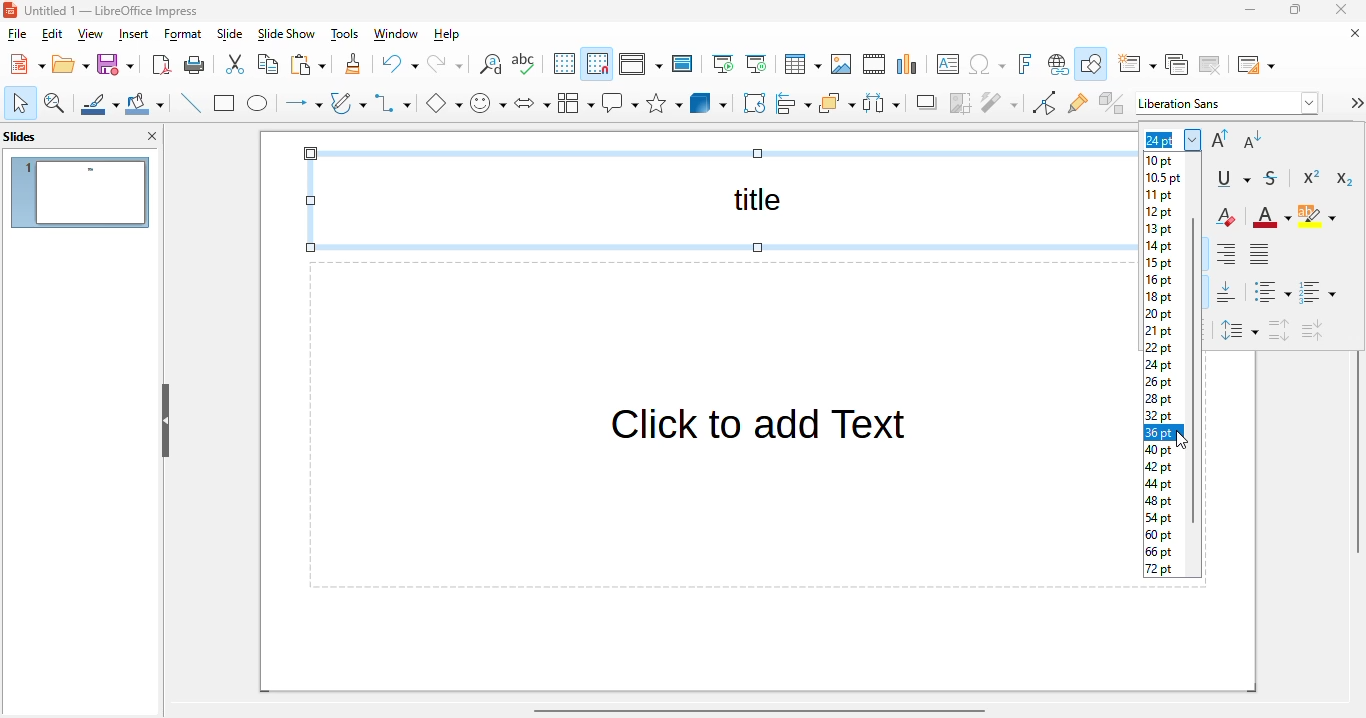 The height and width of the screenshot is (718, 1366). I want to click on decrease font size, so click(1252, 139).